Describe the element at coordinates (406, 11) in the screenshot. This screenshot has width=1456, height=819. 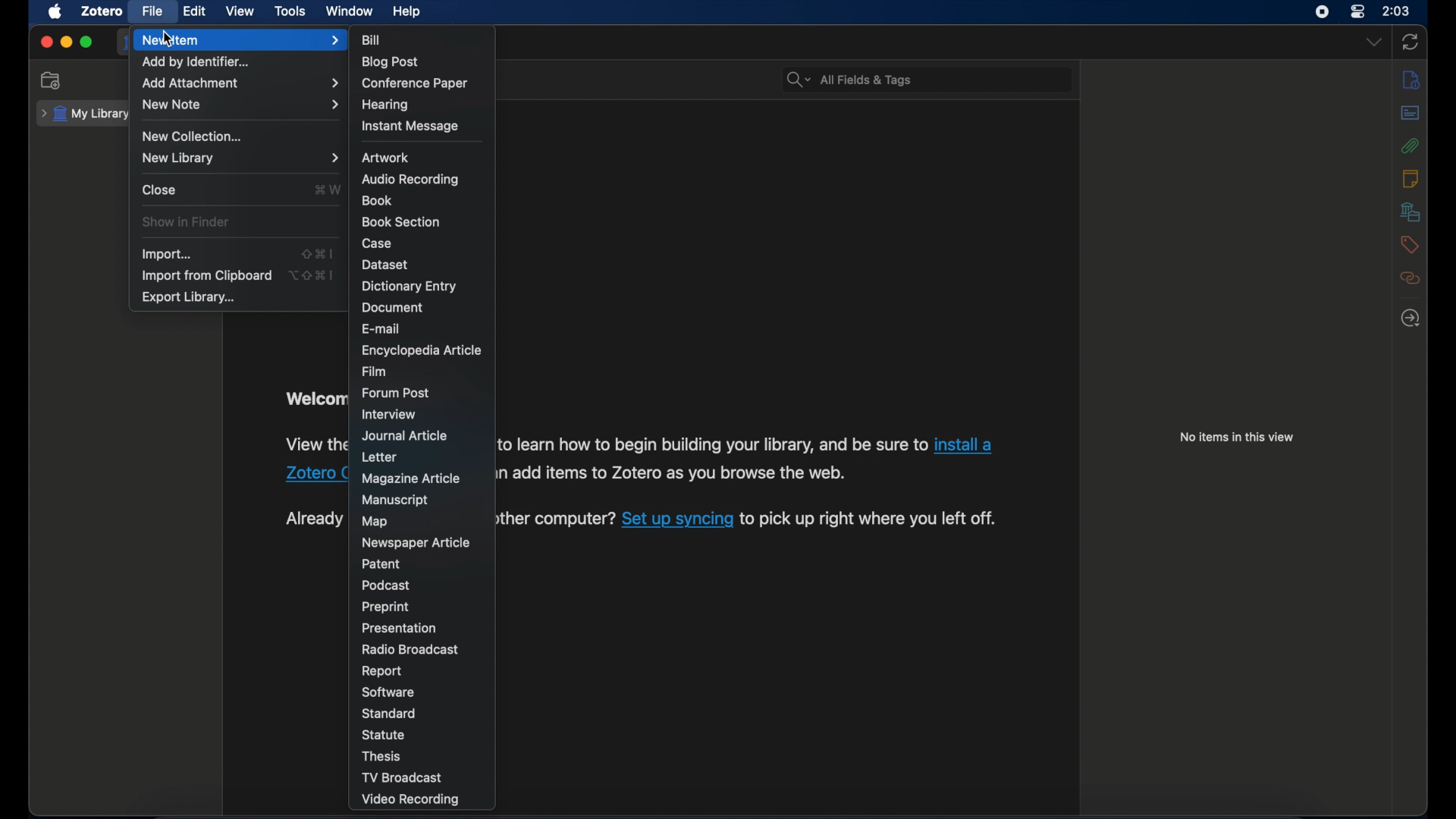
I see `help` at that location.